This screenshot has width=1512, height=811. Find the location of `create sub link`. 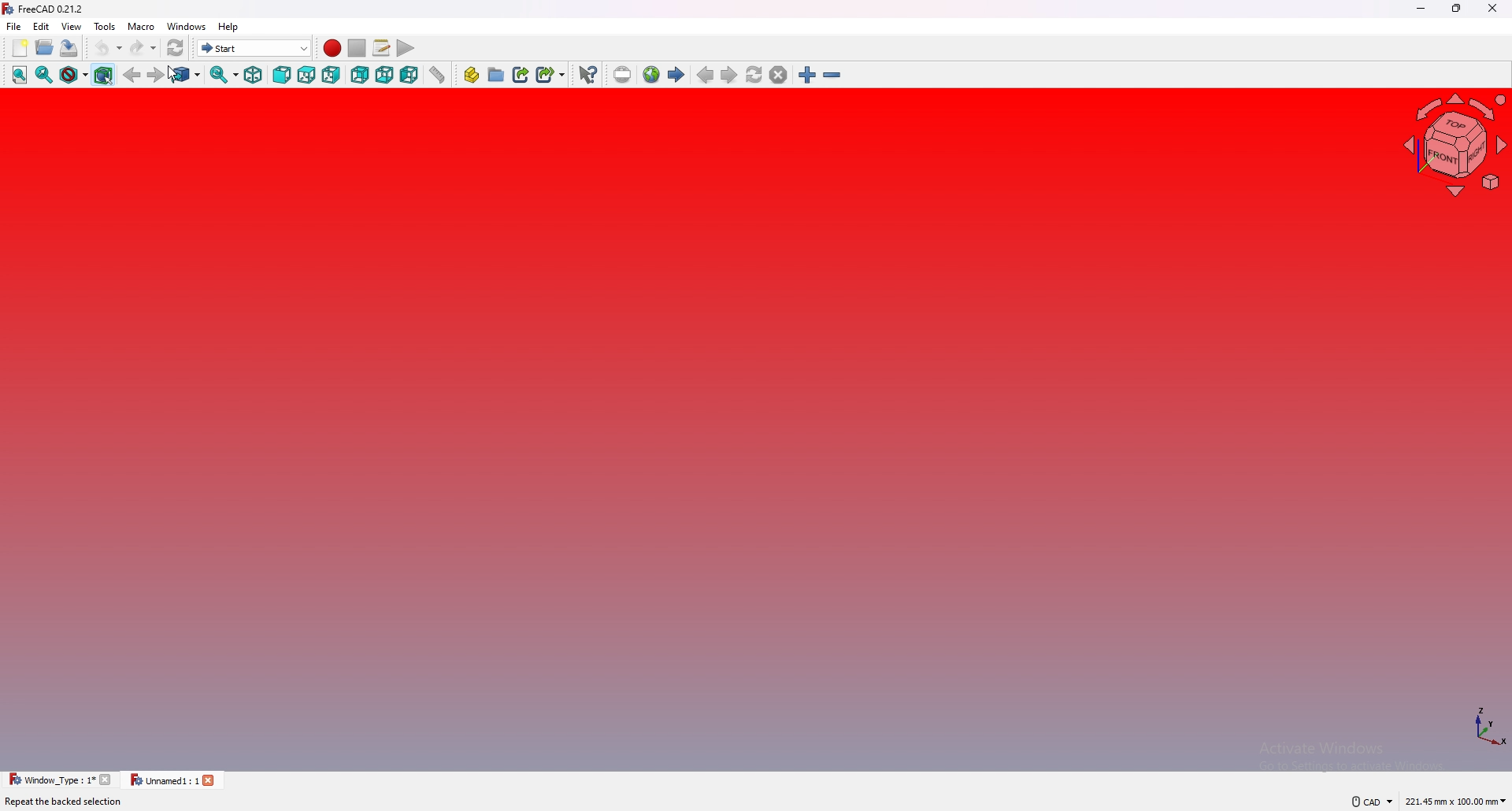

create sub link is located at coordinates (551, 74).